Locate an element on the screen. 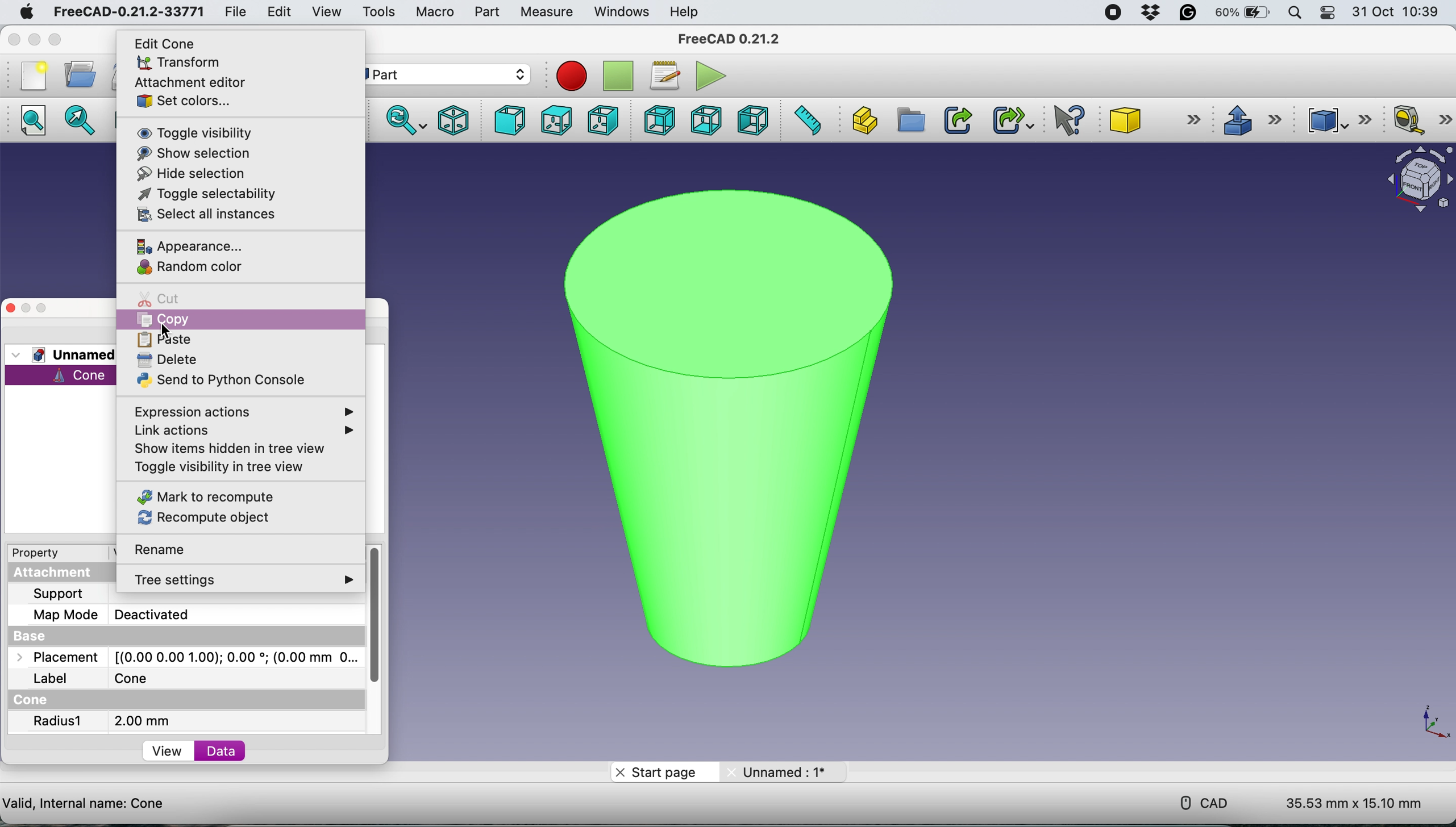 The image size is (1456, 827). toggle selectability is located at coordinates (206, 194).